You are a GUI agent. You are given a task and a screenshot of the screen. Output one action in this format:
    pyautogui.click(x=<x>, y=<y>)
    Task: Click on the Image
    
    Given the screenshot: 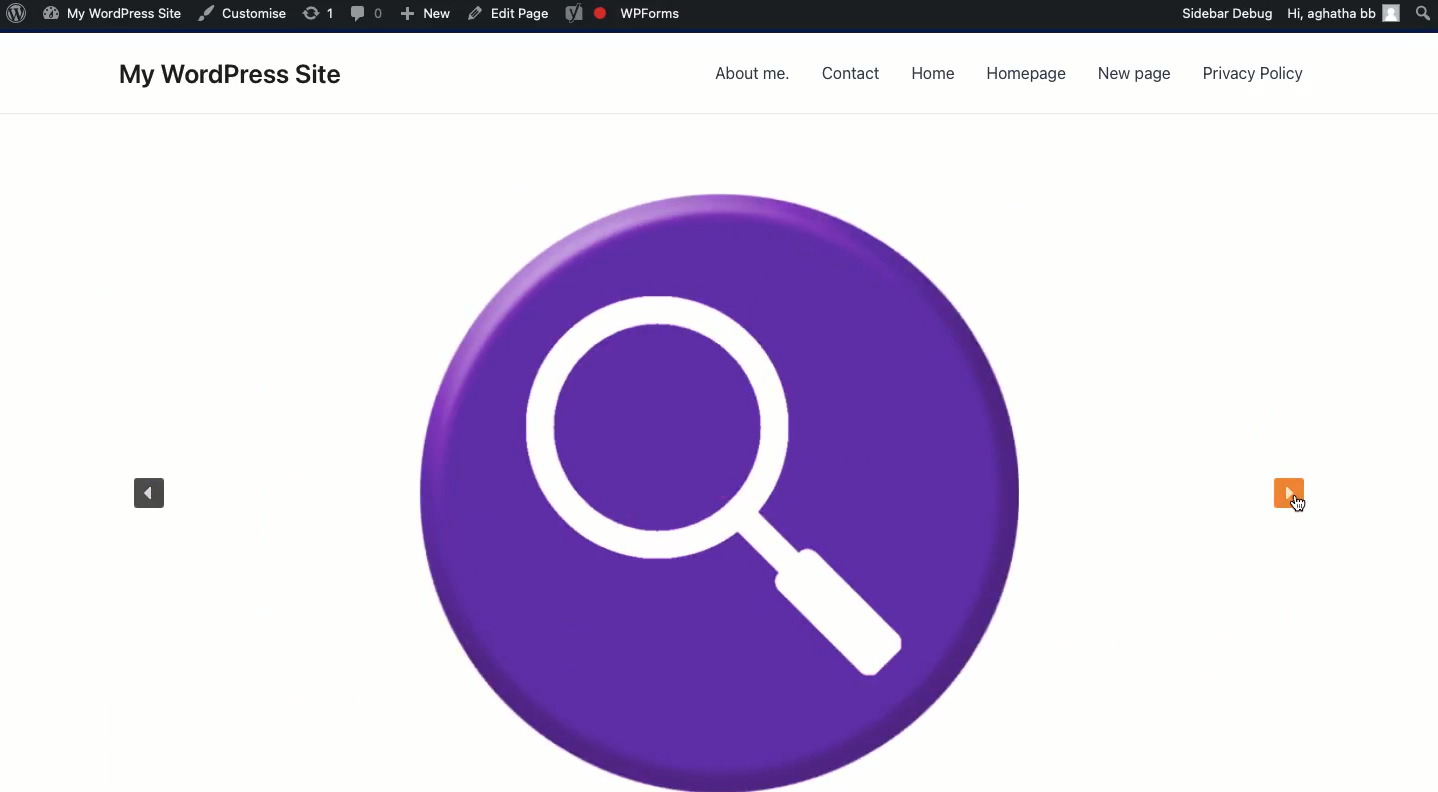 What is the action you would take?
    pyautogui.click(x=730, y=489)
    